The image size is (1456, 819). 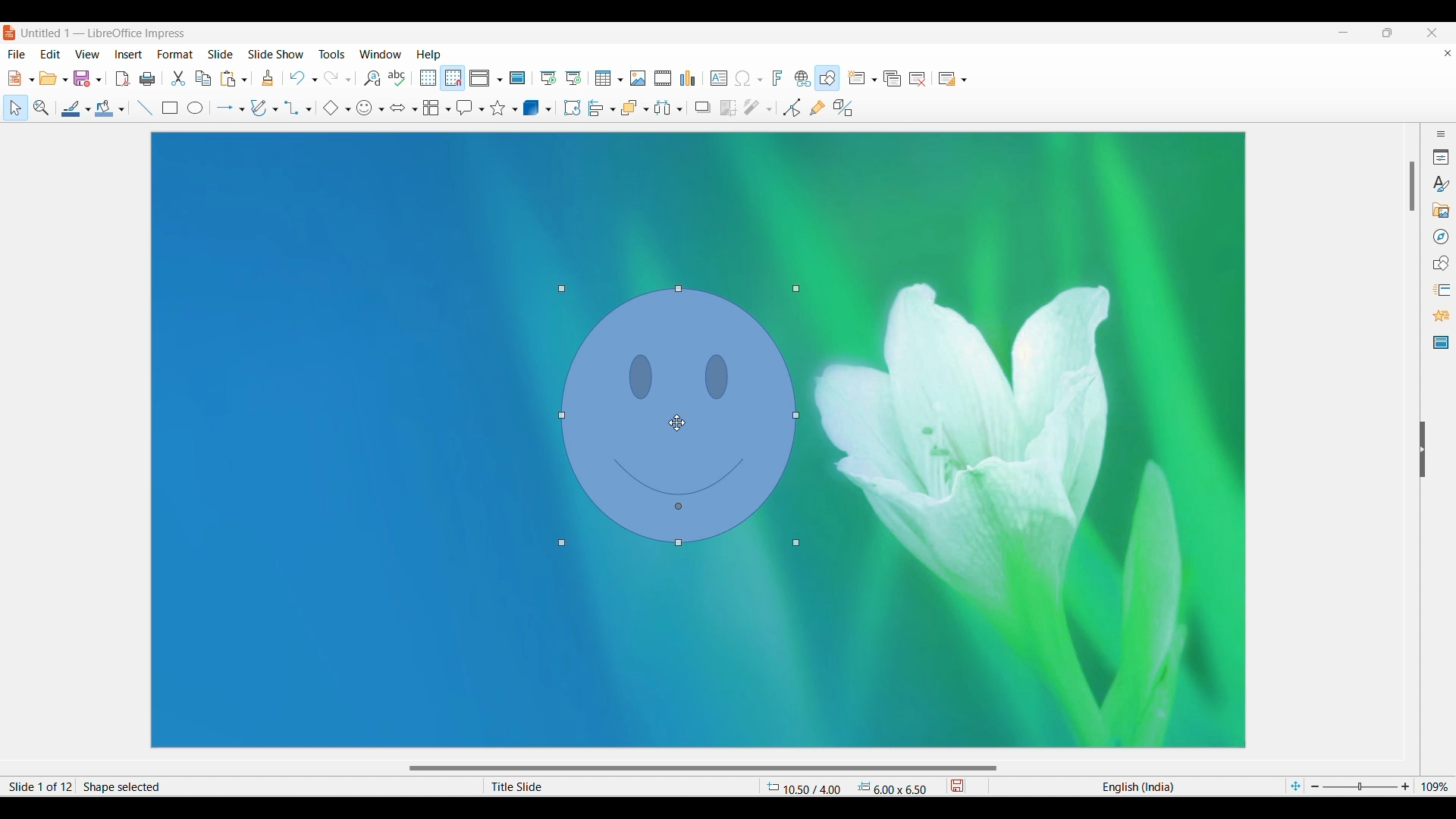 I want to click on Insert chart, so click(x=688, y=78).